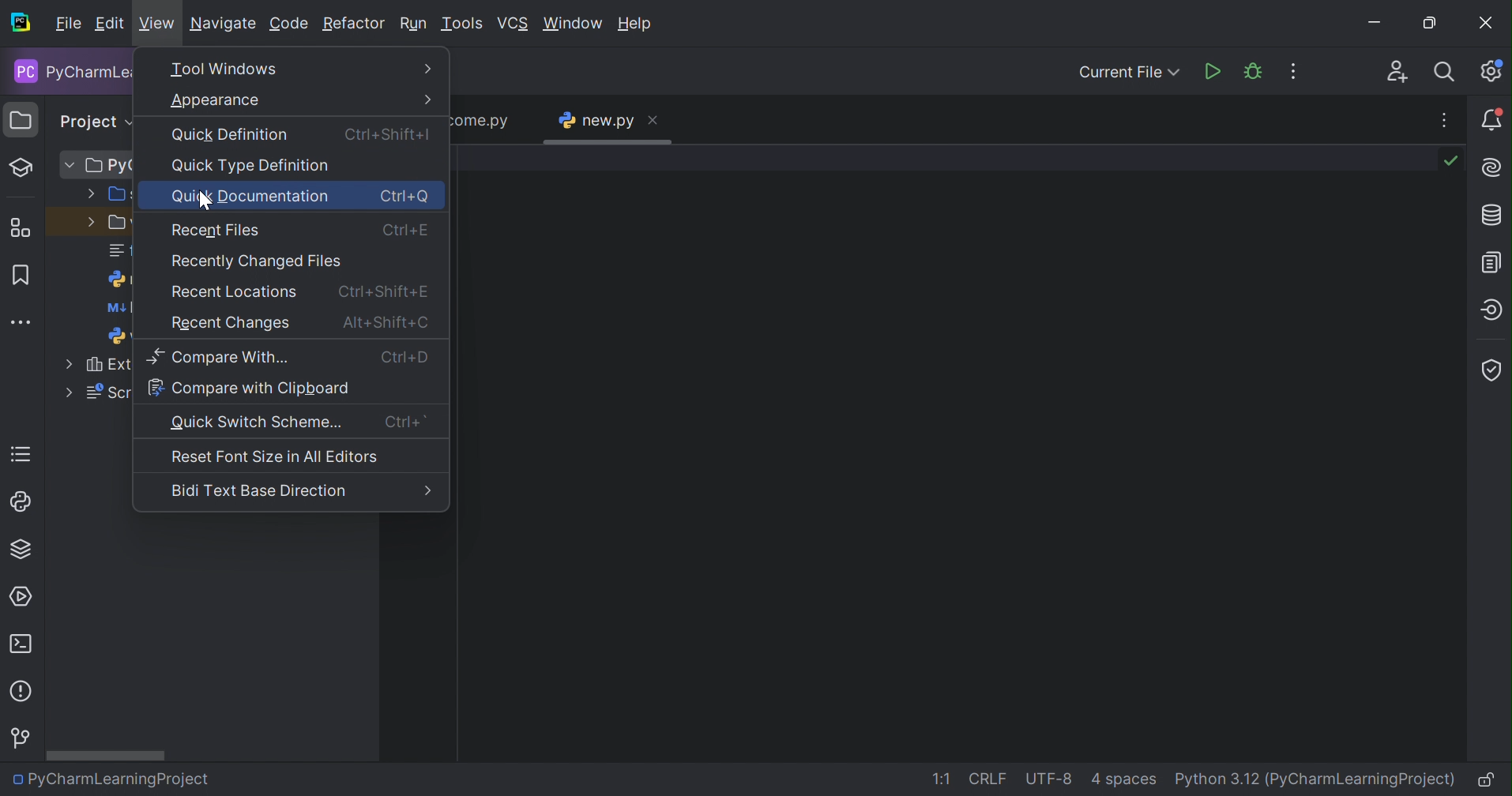 Image resolution: width=1512 pixels, height=796 pixels. What do you see at coordinates (1435, 24) in the screenshot?
I see `Restore down` at bounding box center [1435, 24].